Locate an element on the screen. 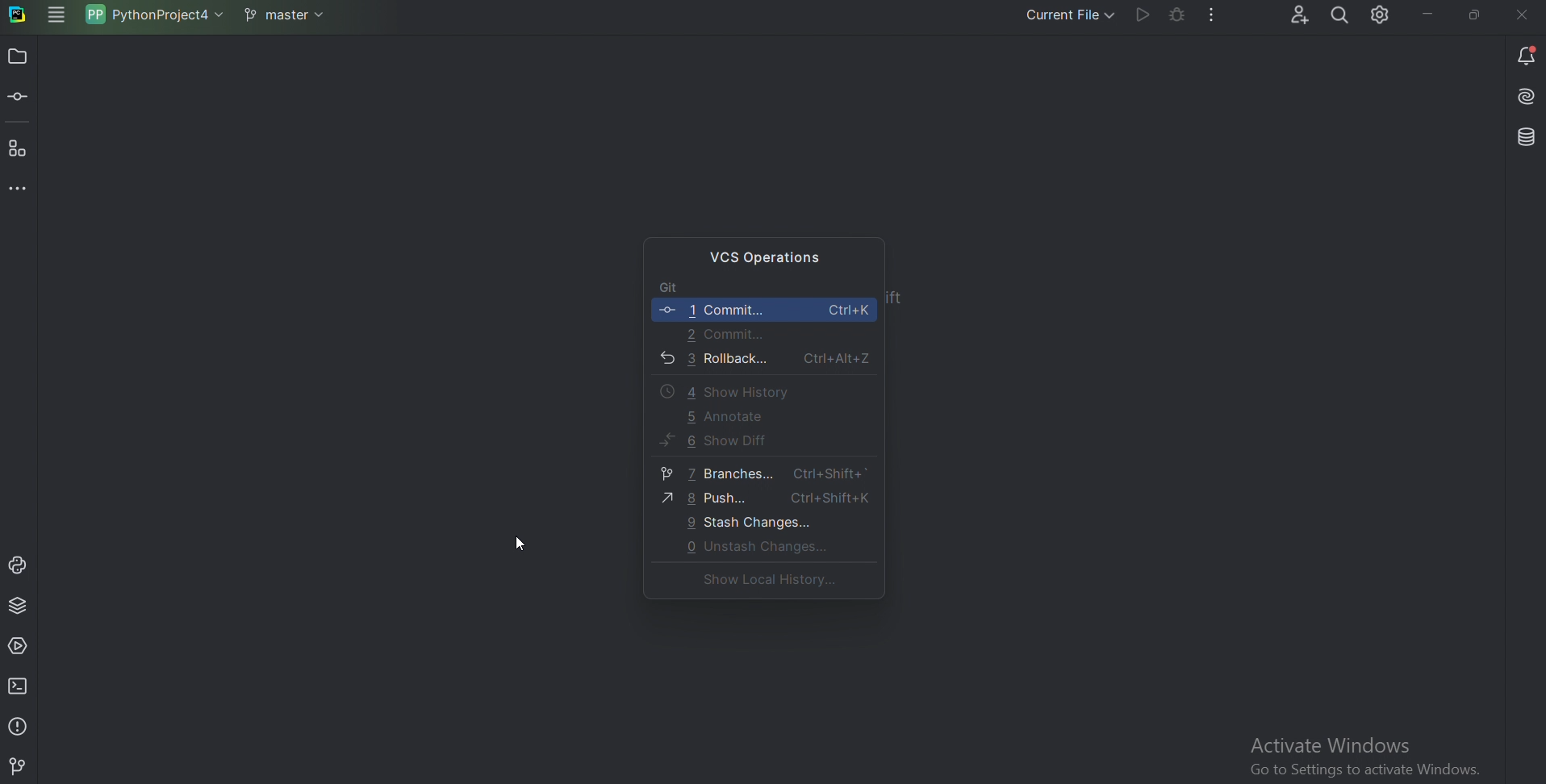 Image resolution: width=1546 pixels, height=784 pixels. Code with me is located at coordinates (1290, 14).